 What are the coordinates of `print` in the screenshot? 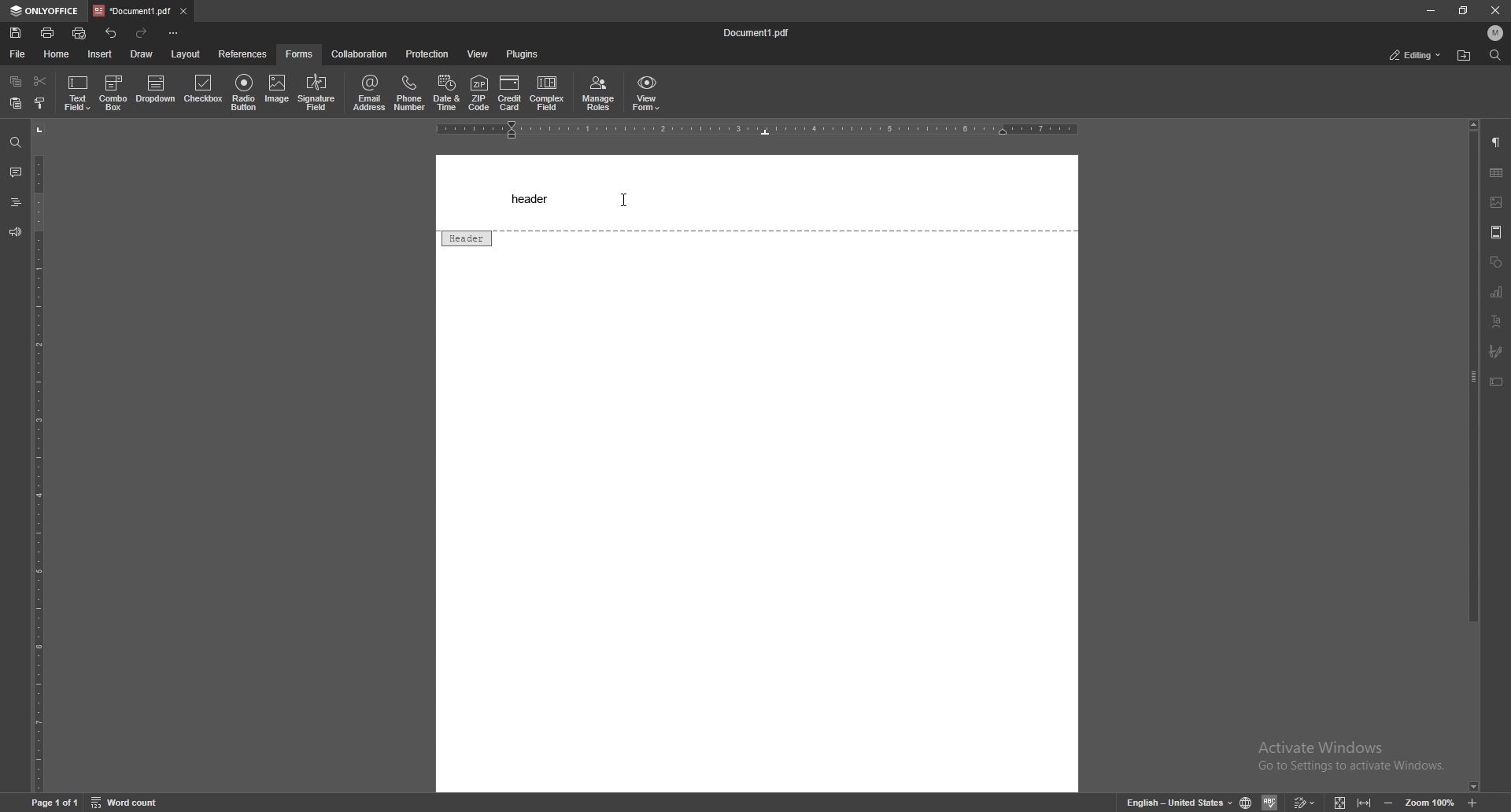 It's located at (49, 32).